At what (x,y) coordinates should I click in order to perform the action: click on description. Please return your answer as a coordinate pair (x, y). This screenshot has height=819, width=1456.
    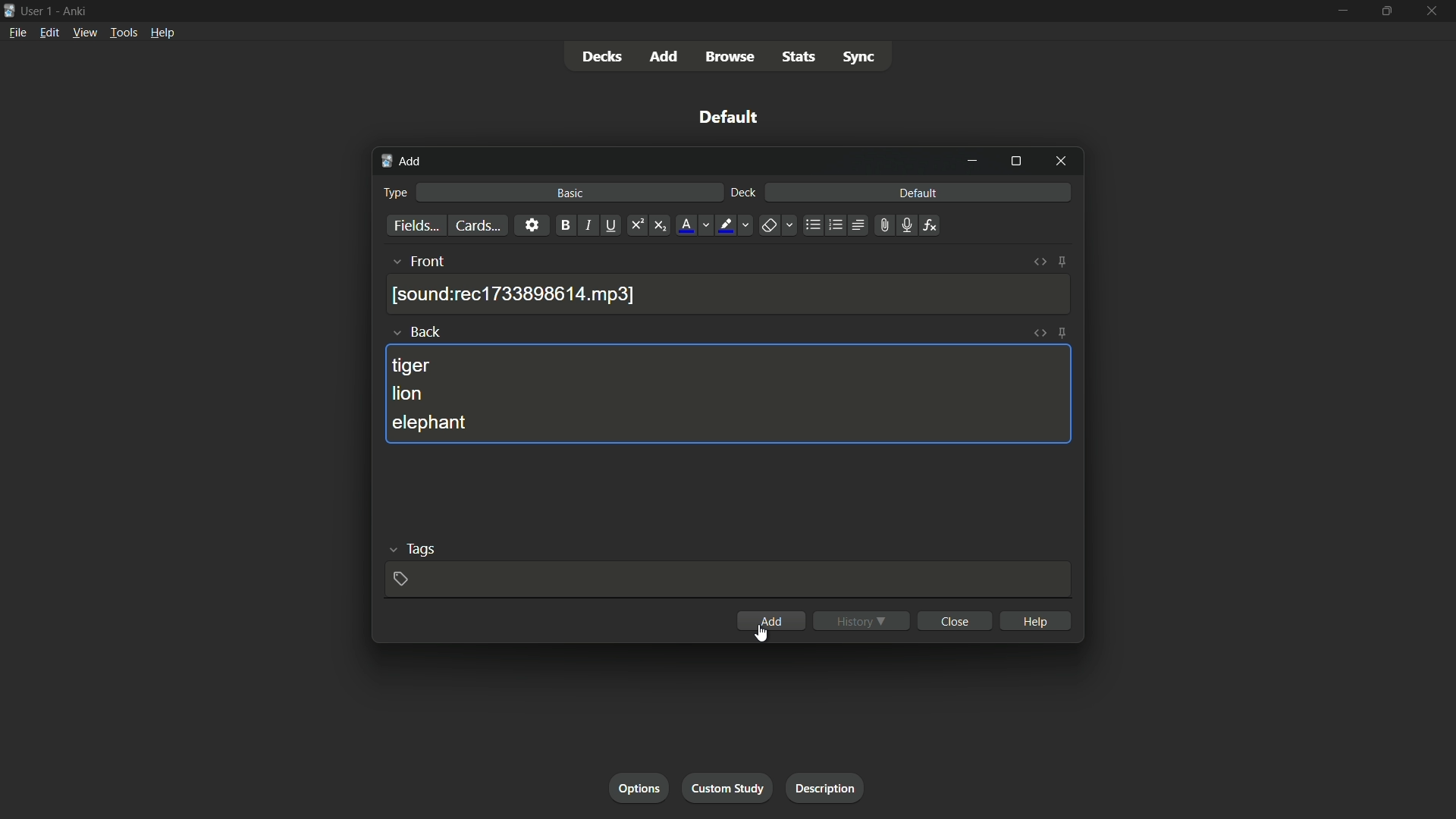
    Looking at the image, I should click on (824, 788).